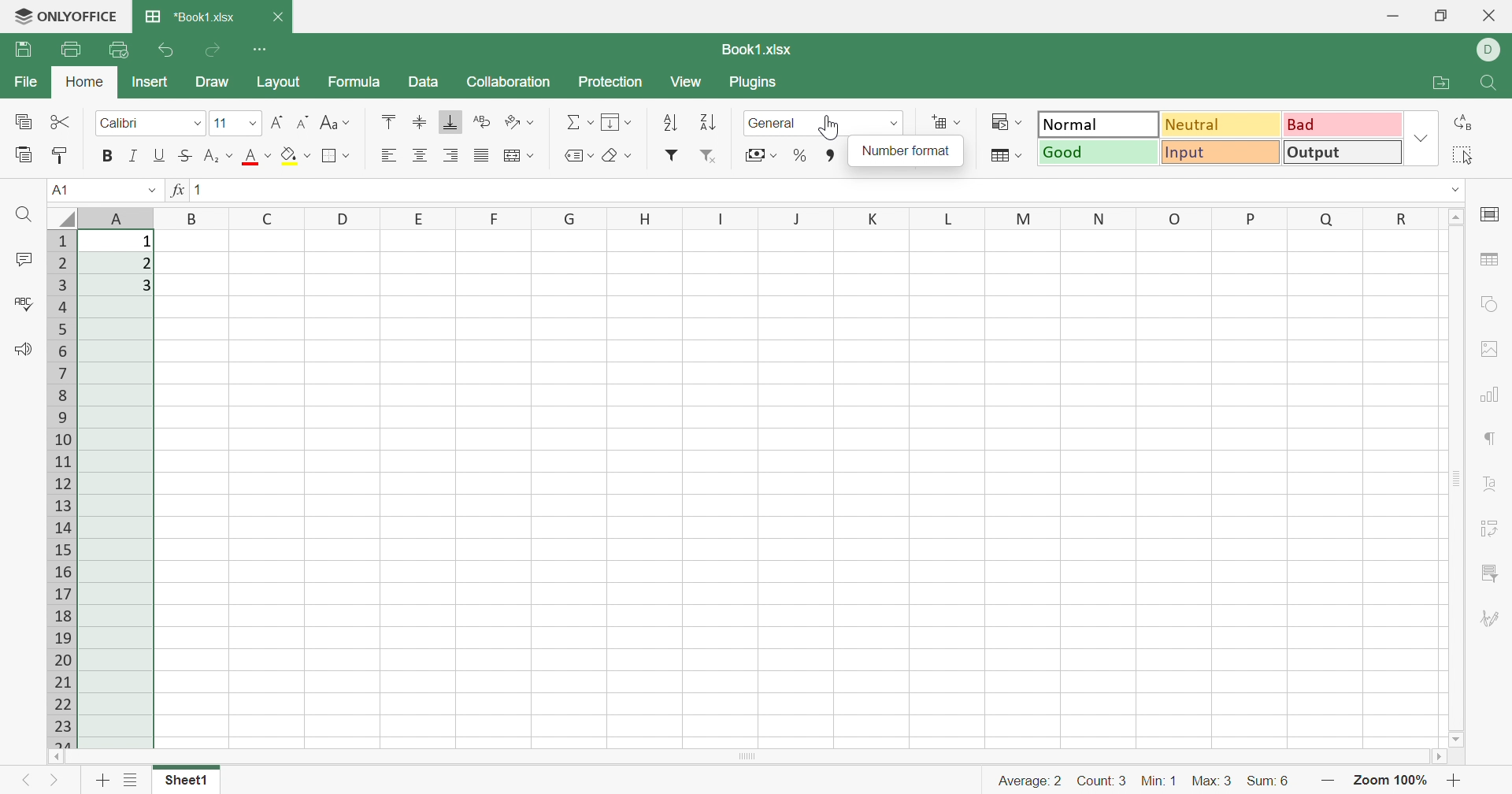  What do you see at coordinates (158, 155) in the screenshot?
I see `Underline` at bounding box center [158, 155].